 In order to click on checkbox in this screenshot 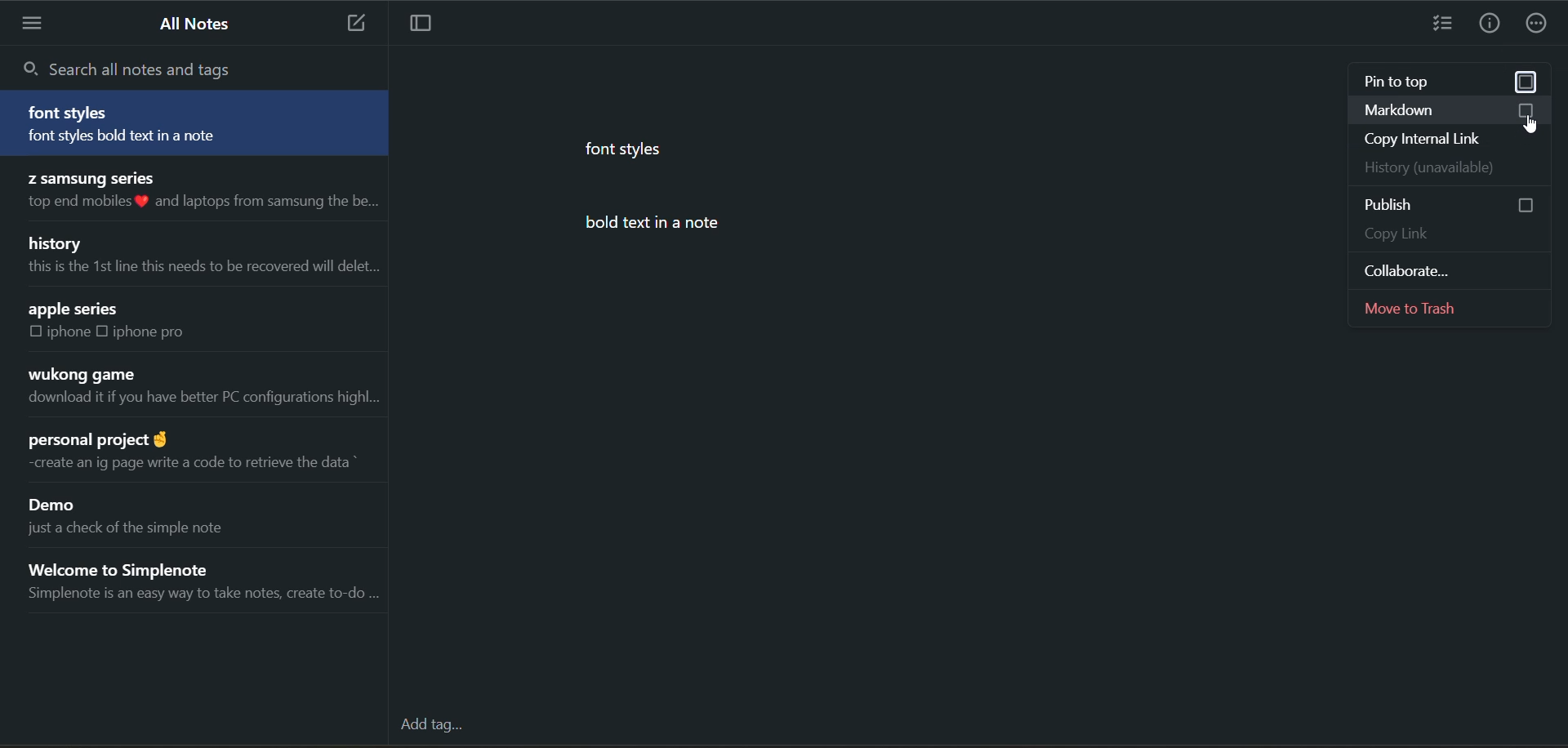, I will do `click(106, 331)`.